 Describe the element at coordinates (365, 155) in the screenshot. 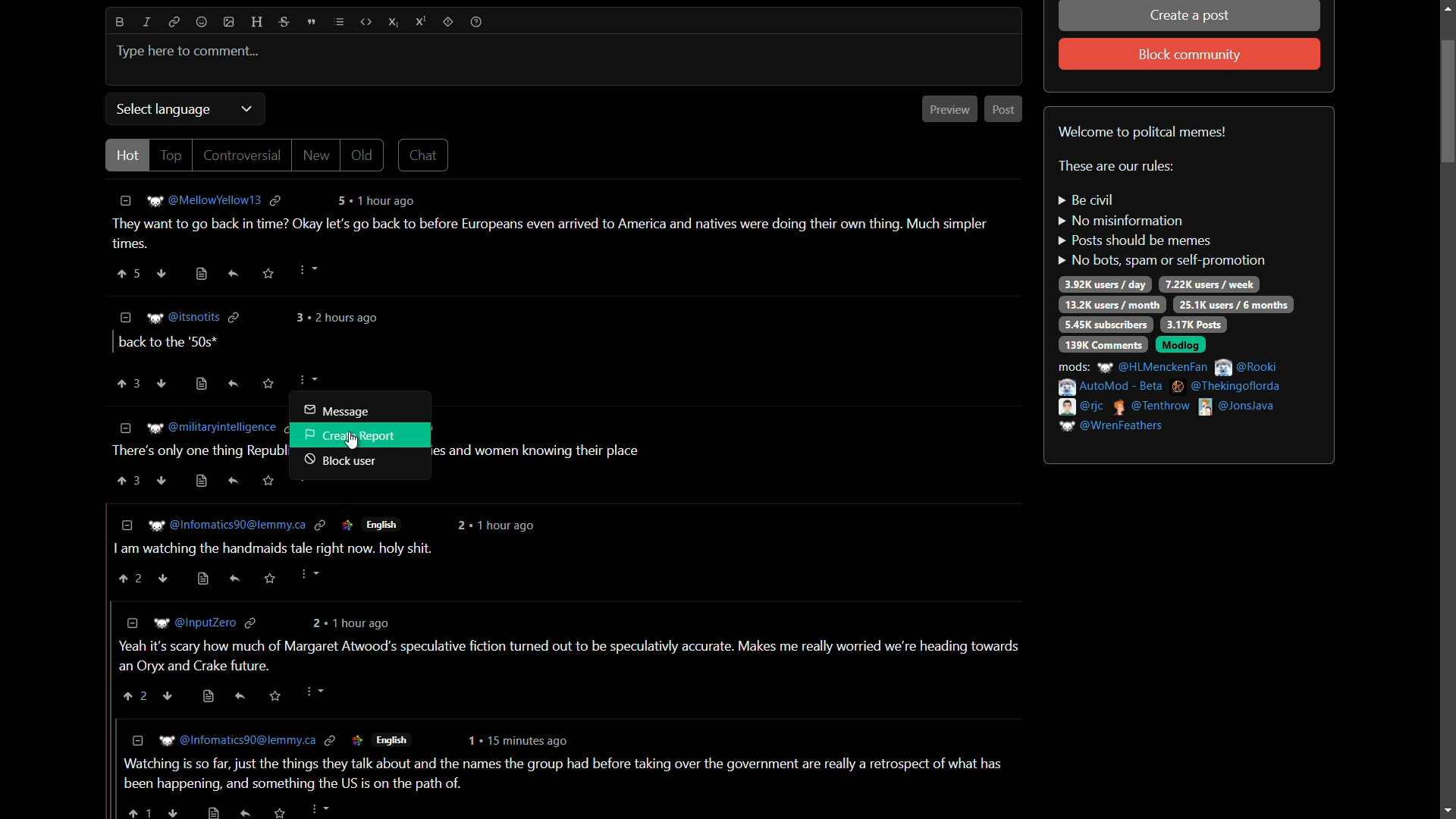

I see `old` at that location.